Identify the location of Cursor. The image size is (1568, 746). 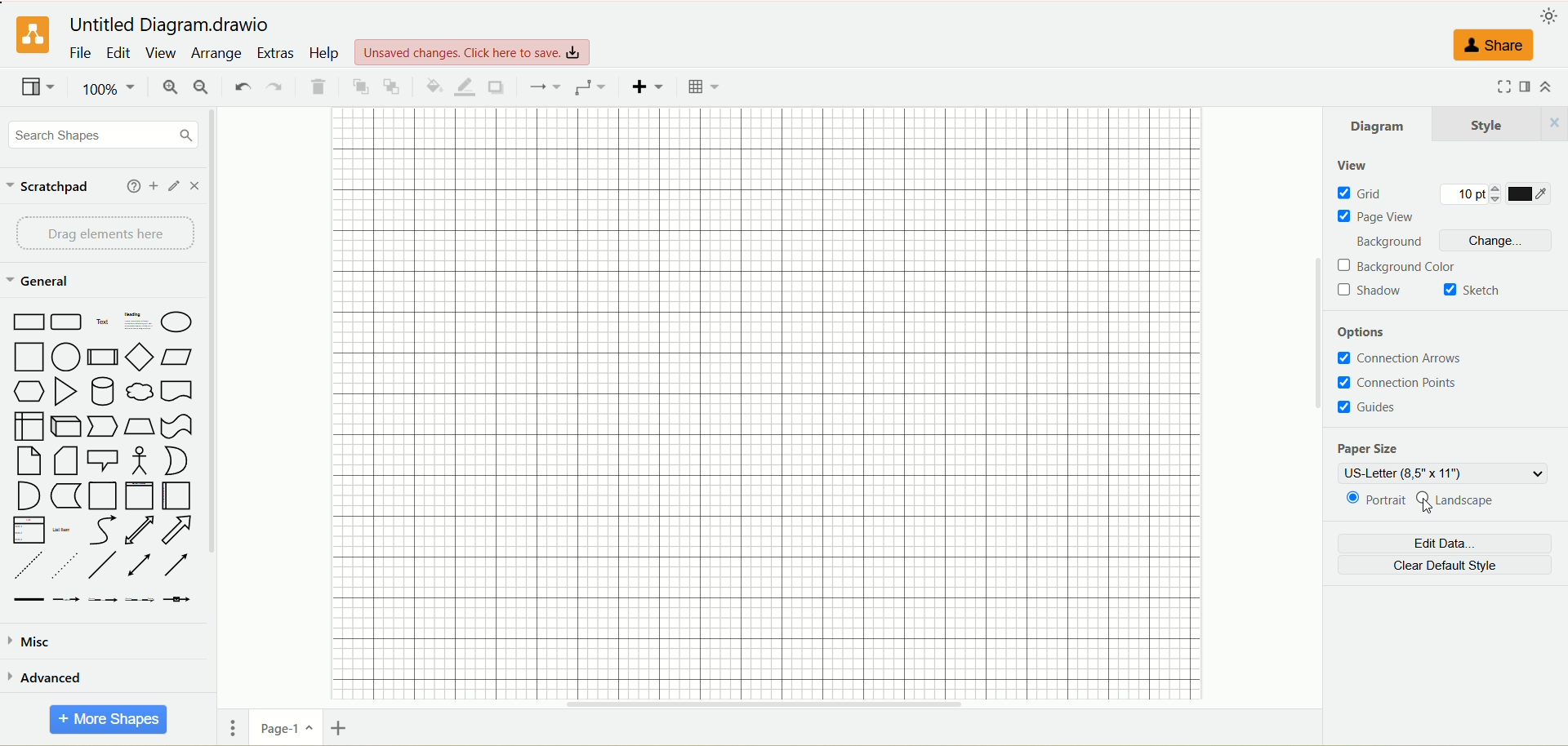
(1428, 509).